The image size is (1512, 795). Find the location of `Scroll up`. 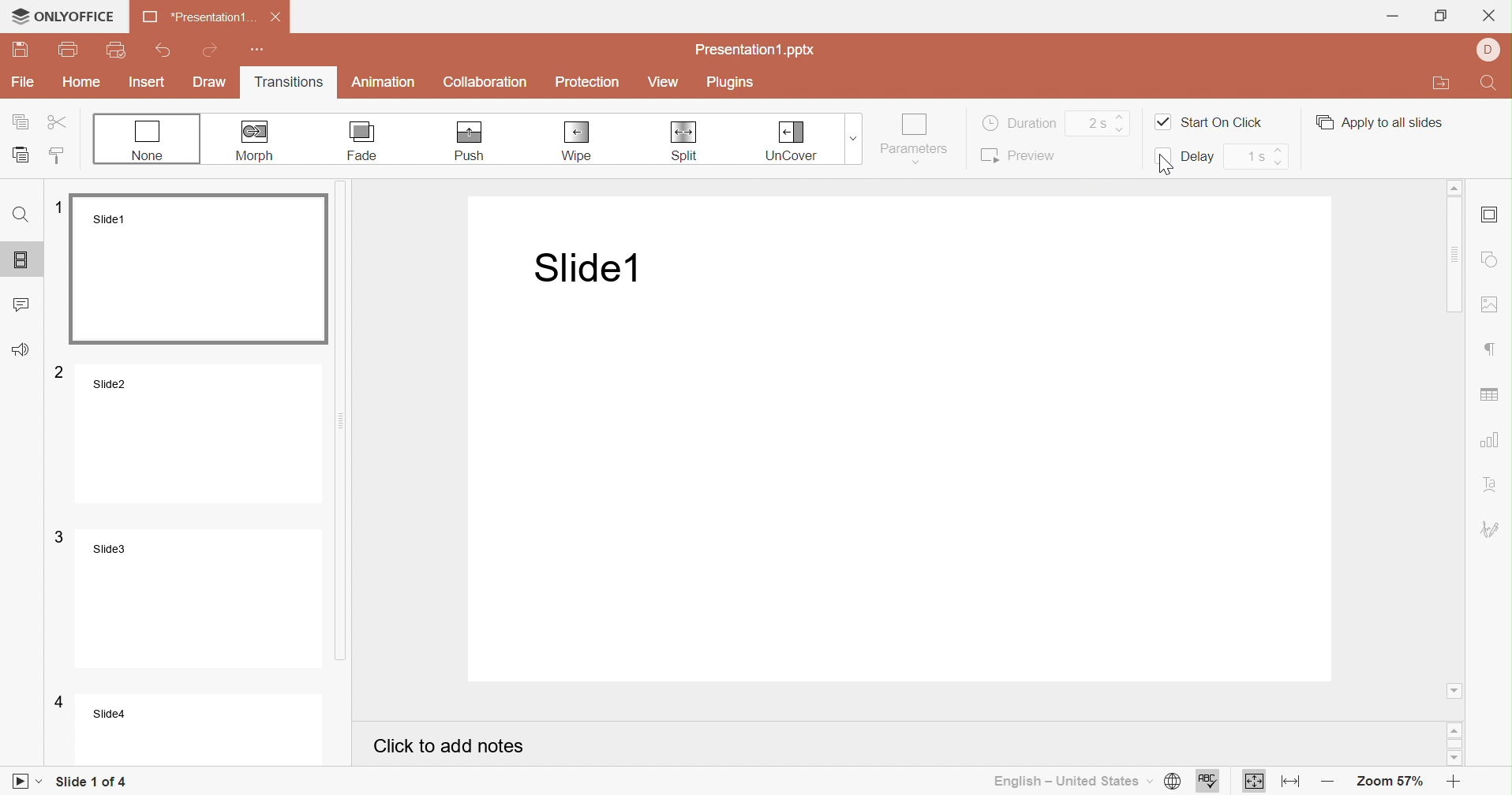

Scroll up is located at coordinates (1456, 731).